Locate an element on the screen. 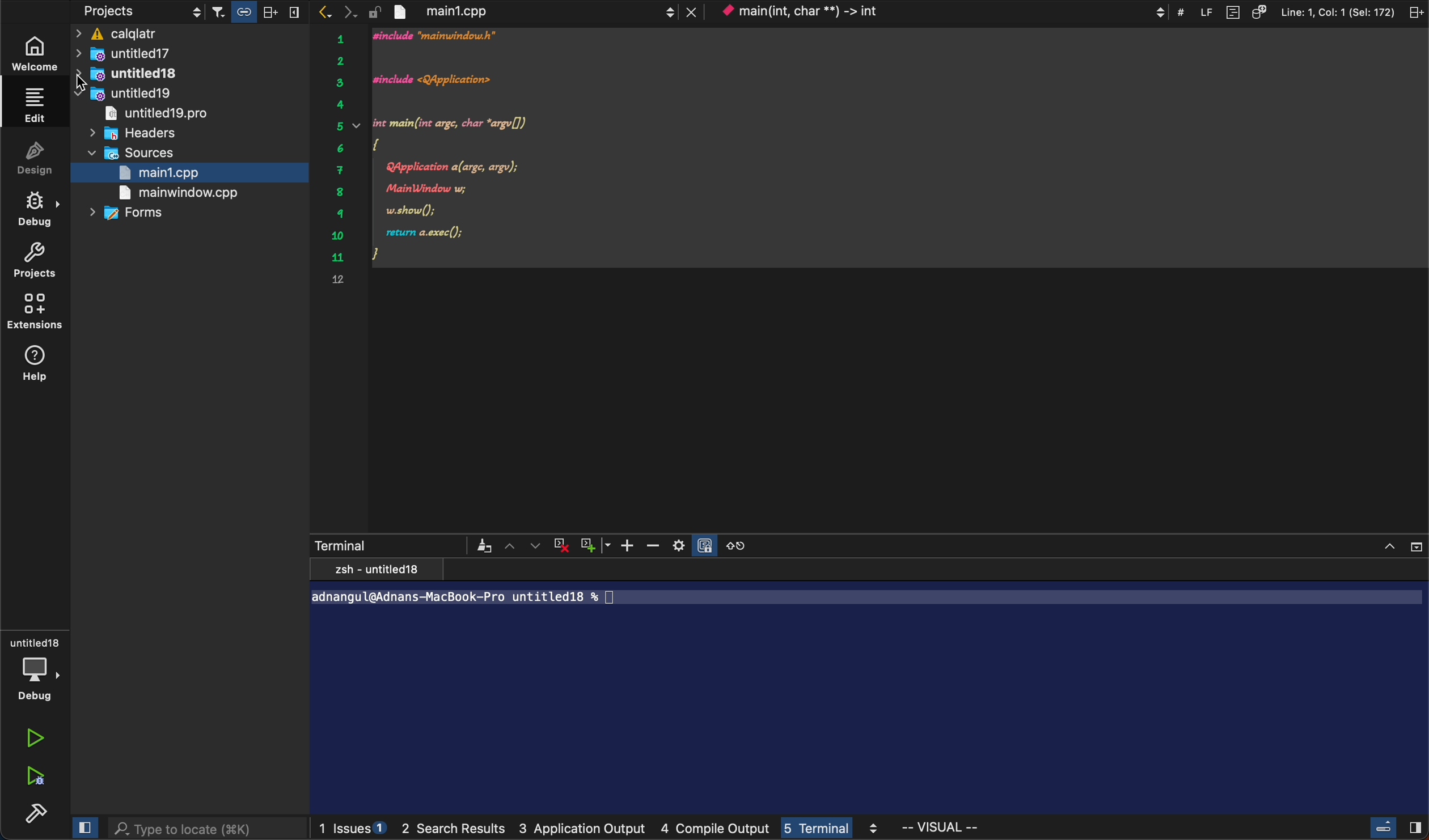 This screenshot has width=1429, height=840. edit is located at coordinates (33, 109).